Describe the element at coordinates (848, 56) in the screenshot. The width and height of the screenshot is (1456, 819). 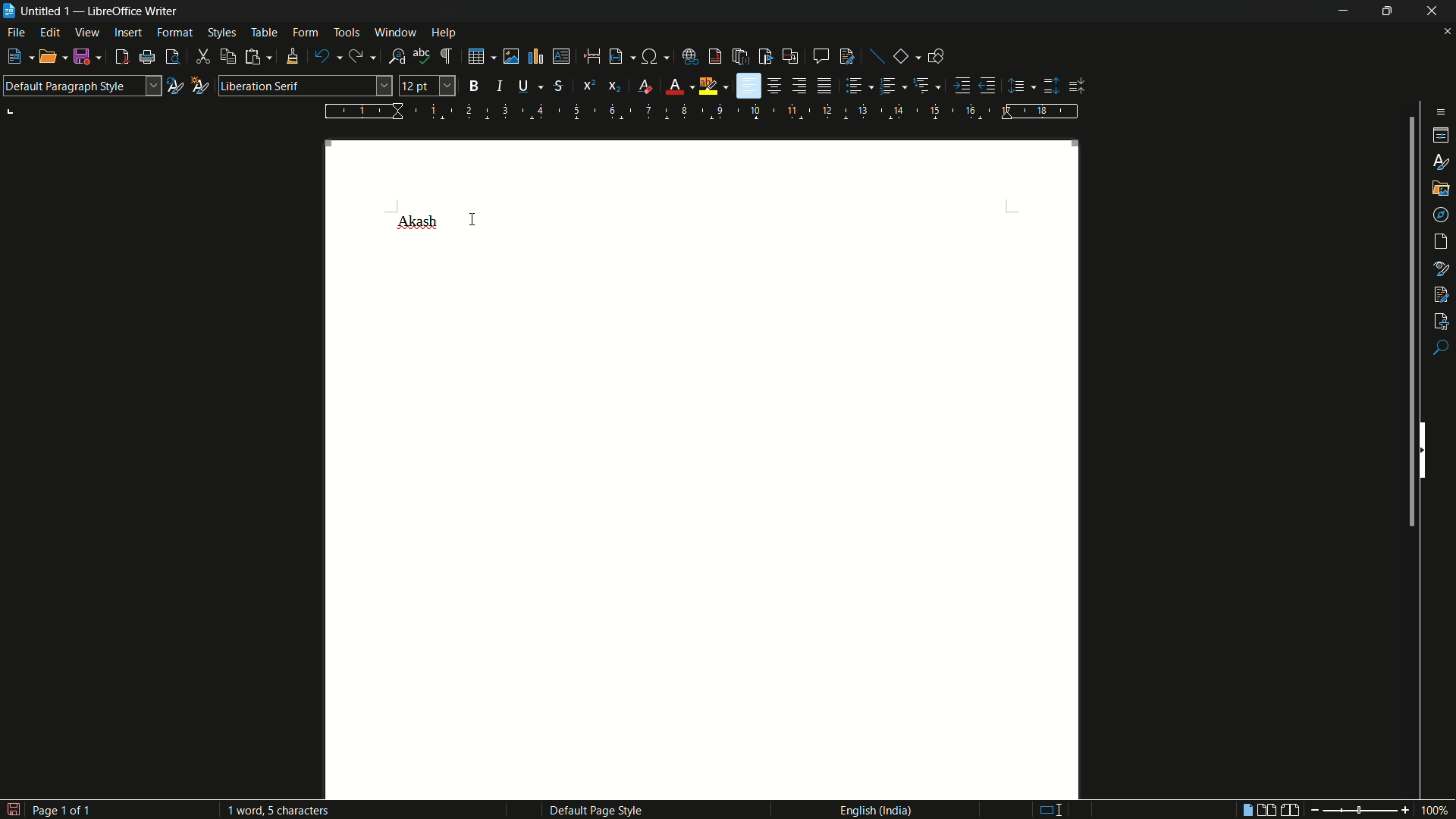
I see `show track changes functions` at that location.